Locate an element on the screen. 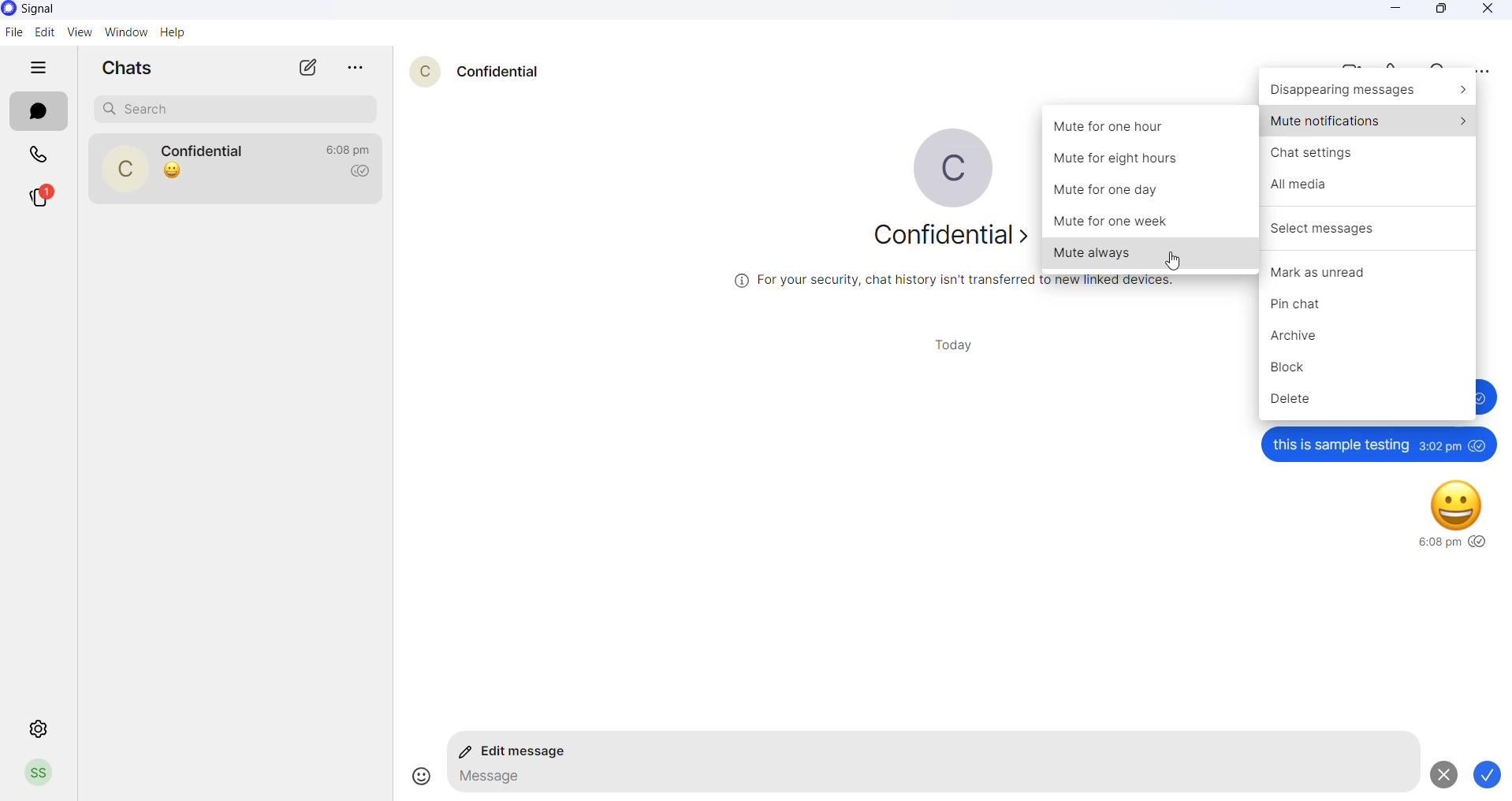  edit is located at coordinates (43, 32).